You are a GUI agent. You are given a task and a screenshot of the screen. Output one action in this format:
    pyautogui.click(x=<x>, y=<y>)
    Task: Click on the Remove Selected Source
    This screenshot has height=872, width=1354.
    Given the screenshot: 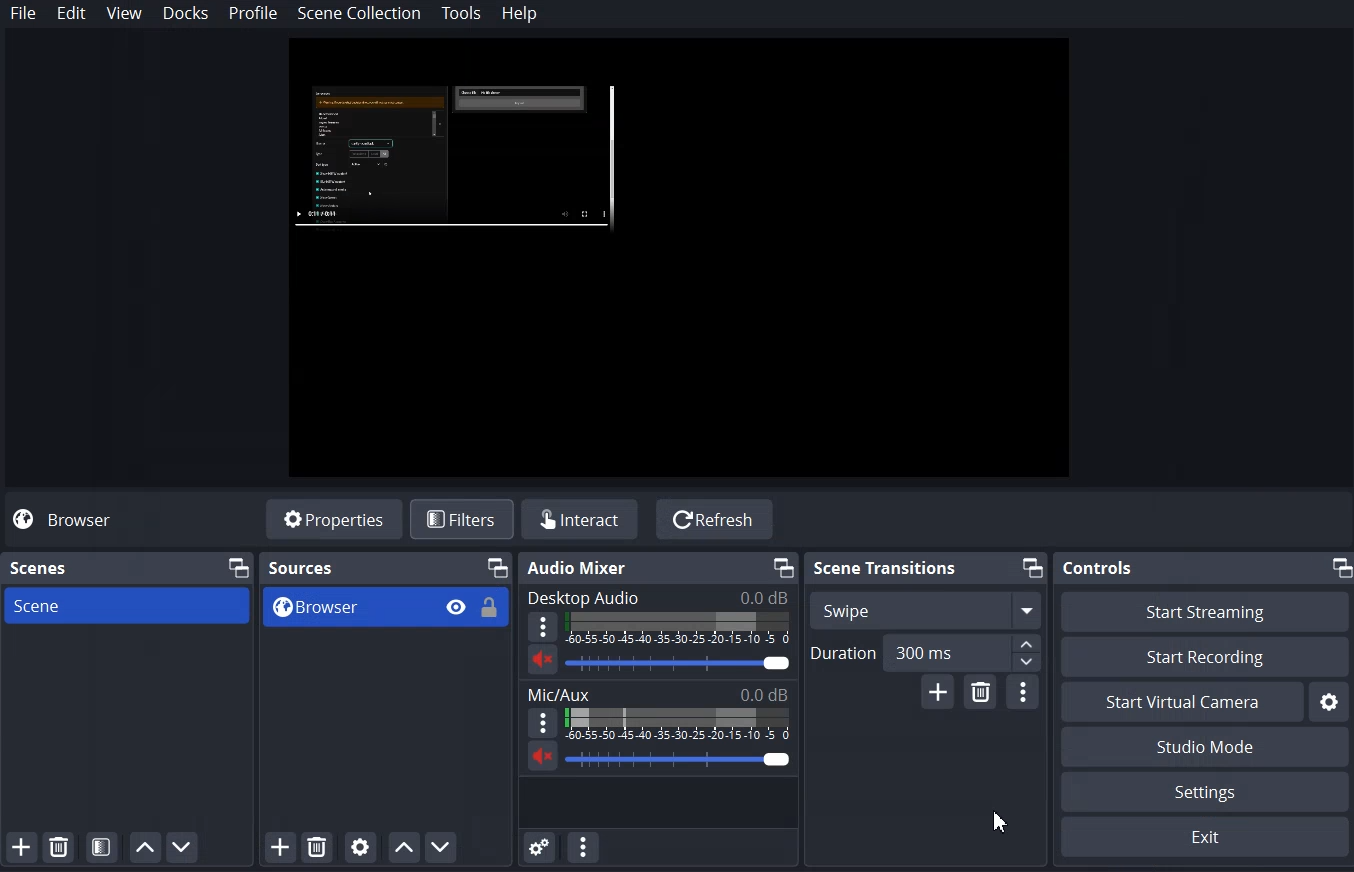 What is the action you would take?
    pyautogui.click(x=317, y=848)
    